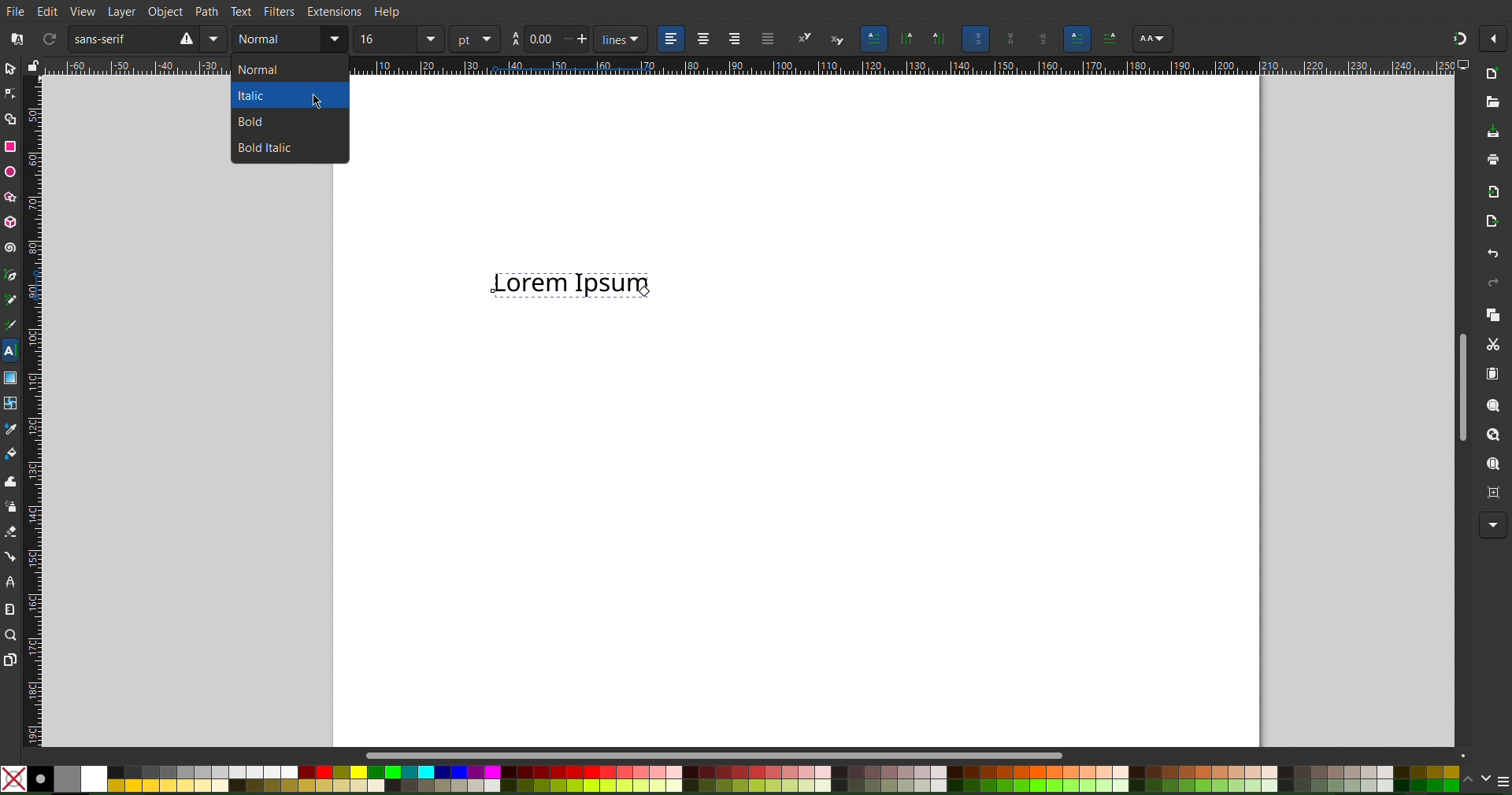 Image resolution: width=1512 pixels, height=795 pixels. Describe the element at coordinates (1494, 376) in the screenshot. I see `Paste` at that location.